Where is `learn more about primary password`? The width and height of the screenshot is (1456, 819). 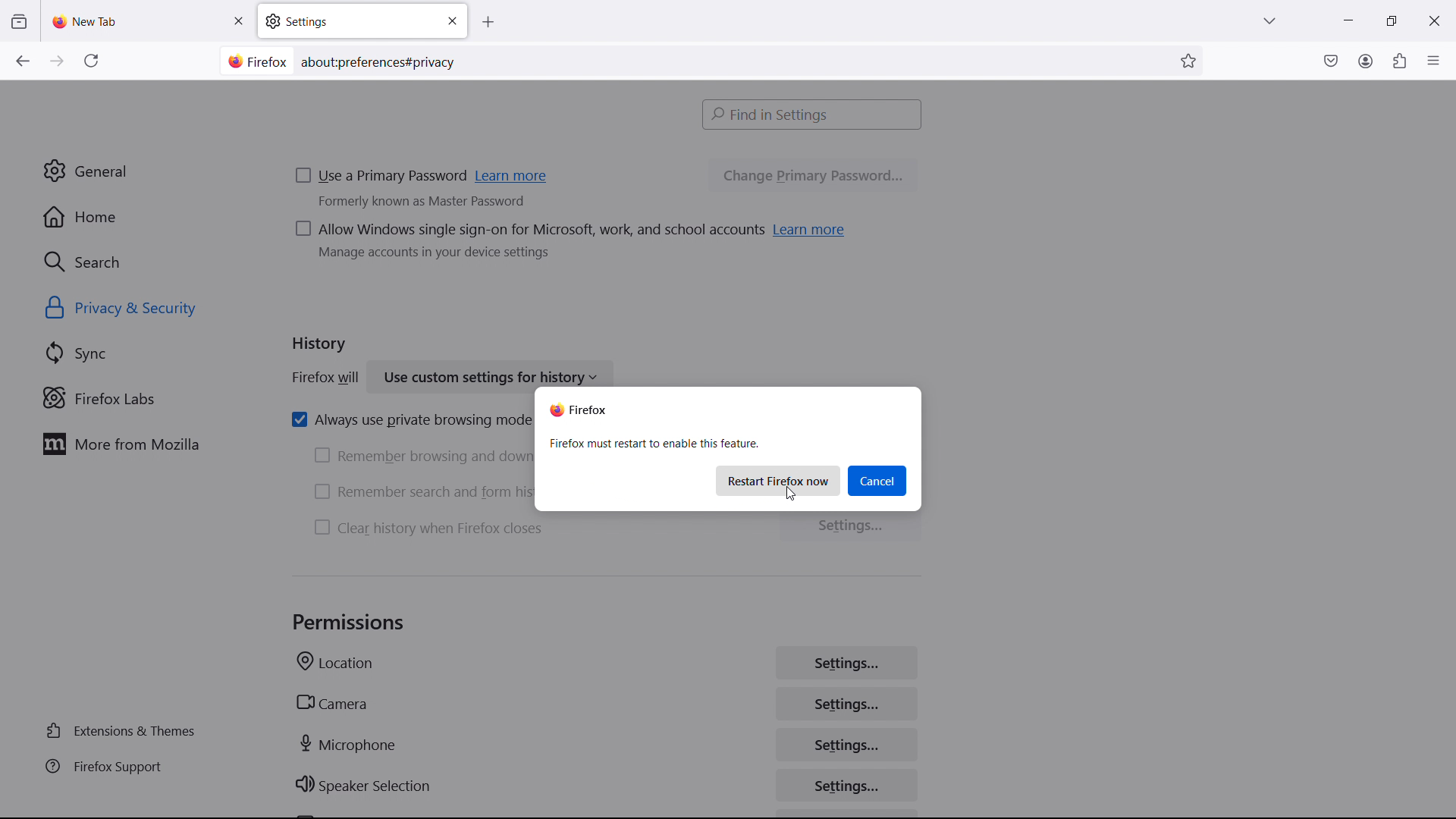
learn more about primary password is located at coordinates (513, 177).